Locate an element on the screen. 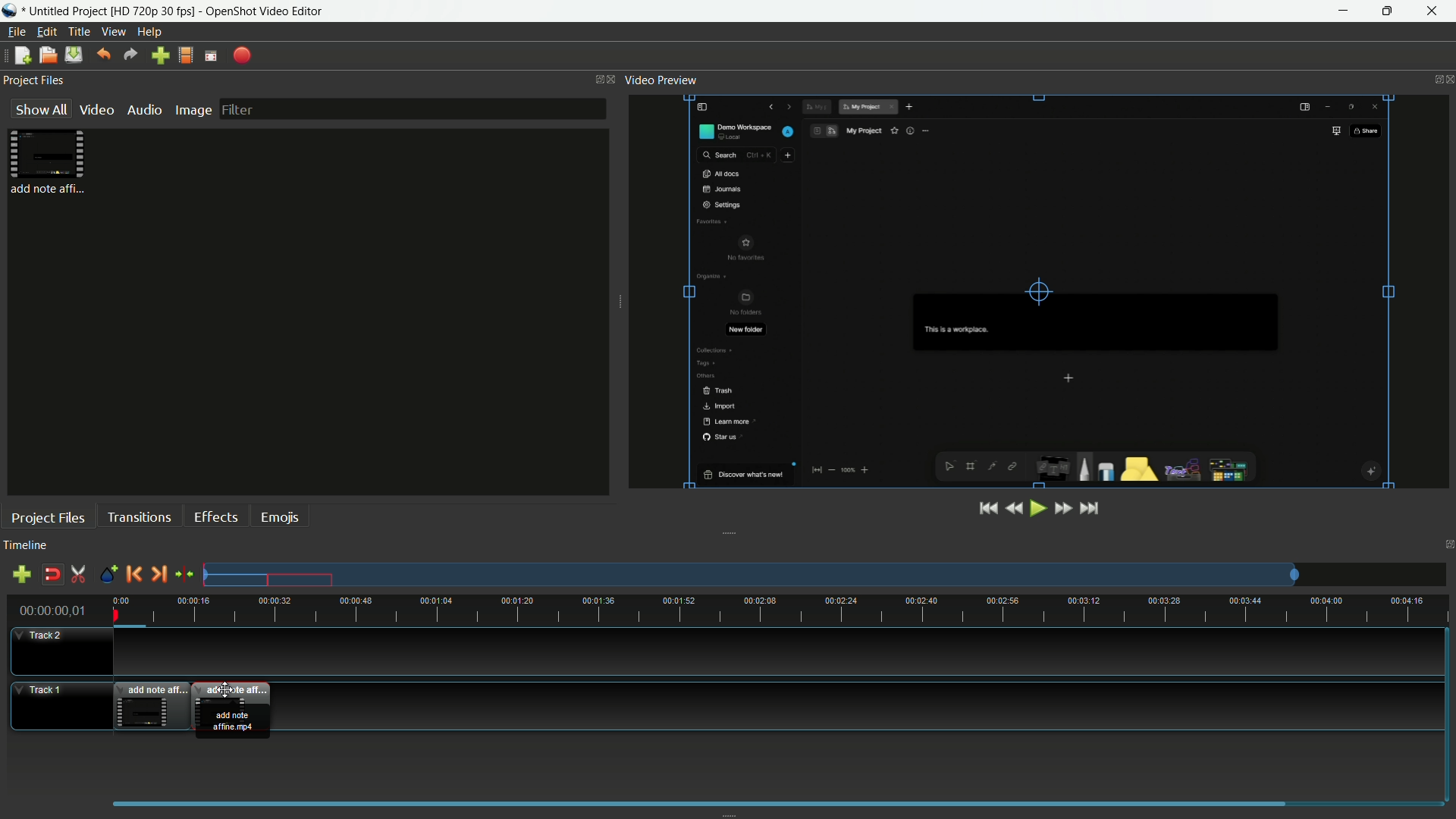 Image resolution: width=1456 pixels, height=819 pixels. export is located at coordinates (240, 55).